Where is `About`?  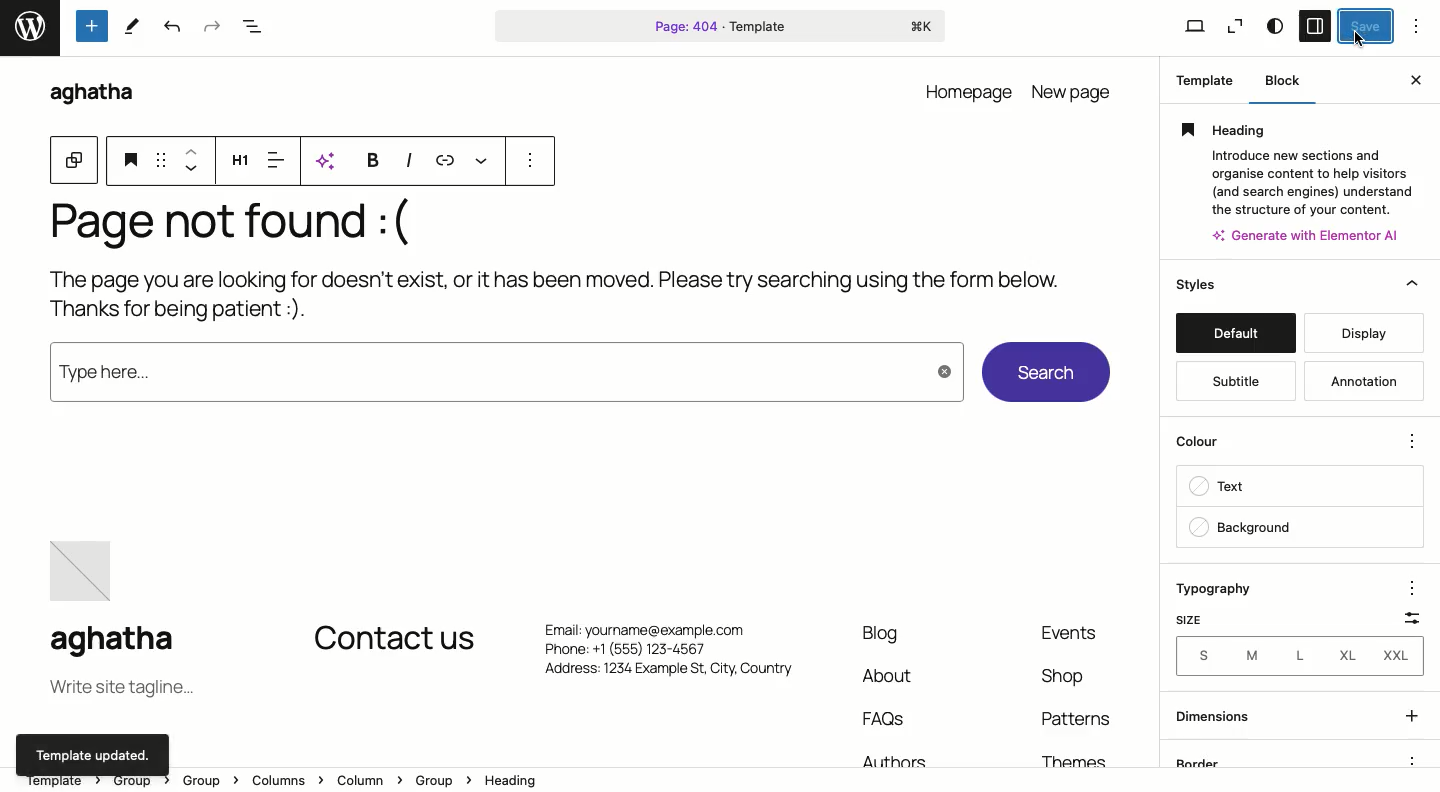 About is located at coordinates (892, 675).